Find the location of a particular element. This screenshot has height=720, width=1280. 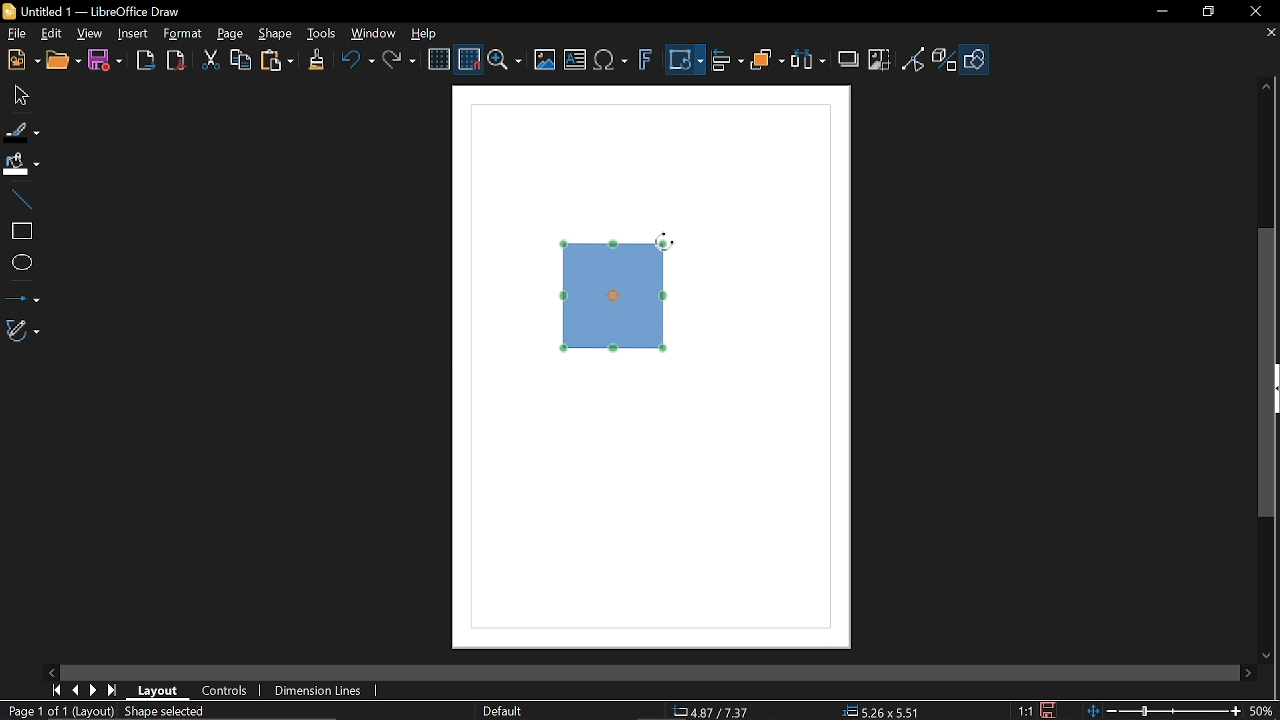

Diagram rotated is located at coordinates (608, 302).